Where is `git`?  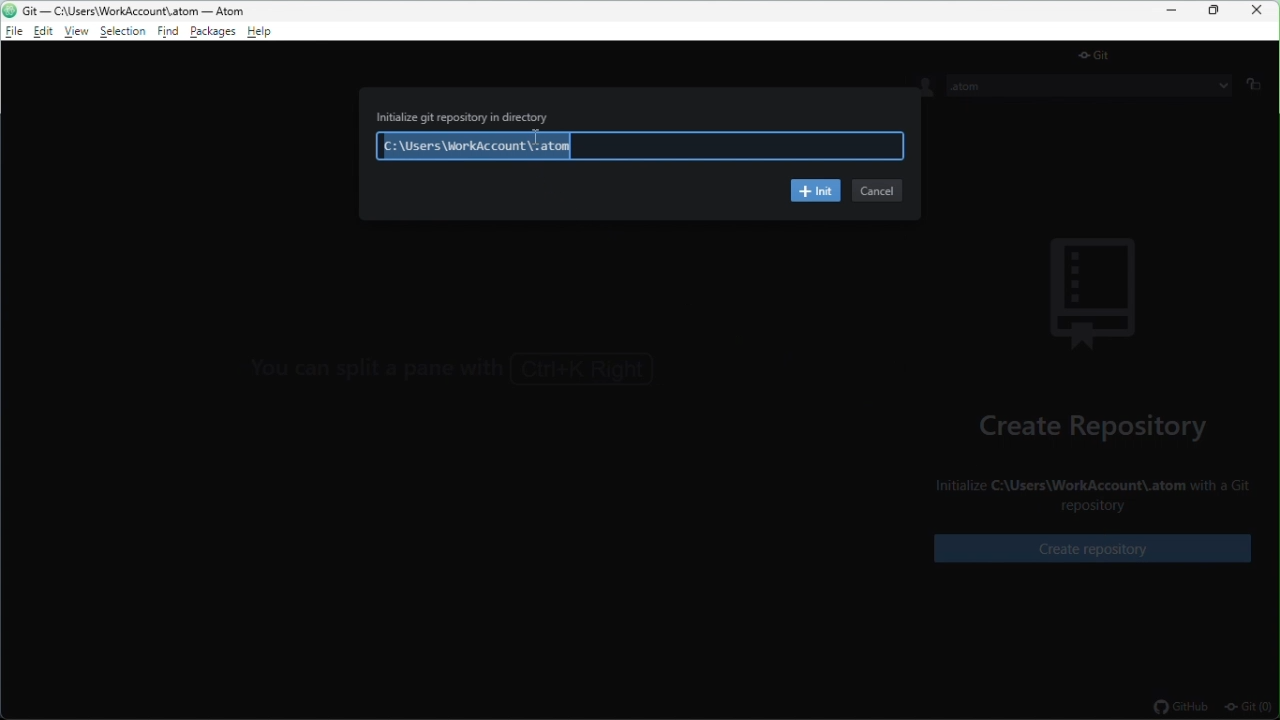
git is located at coordinates (1102, 53).